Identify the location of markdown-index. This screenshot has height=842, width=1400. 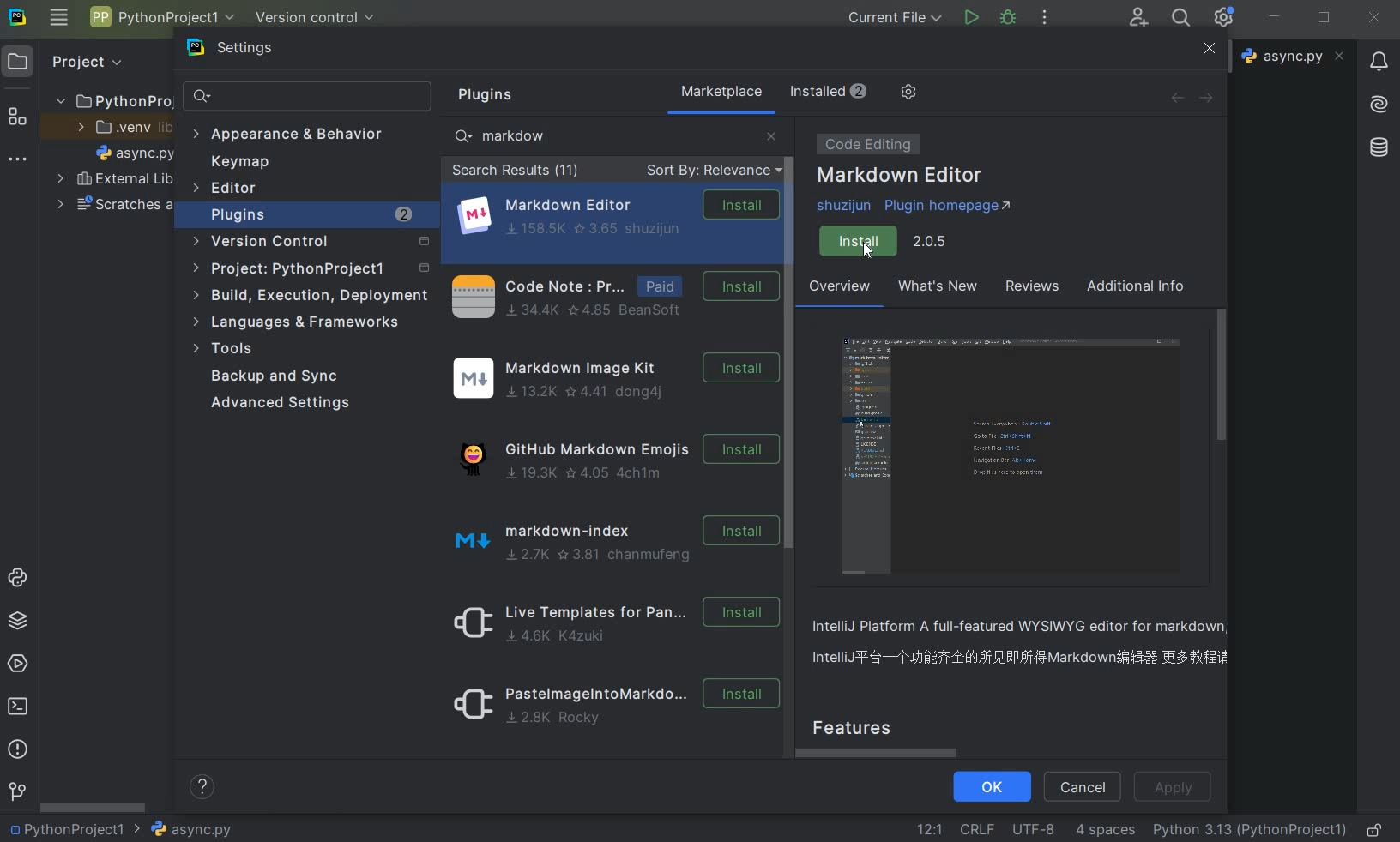
(607, 538).